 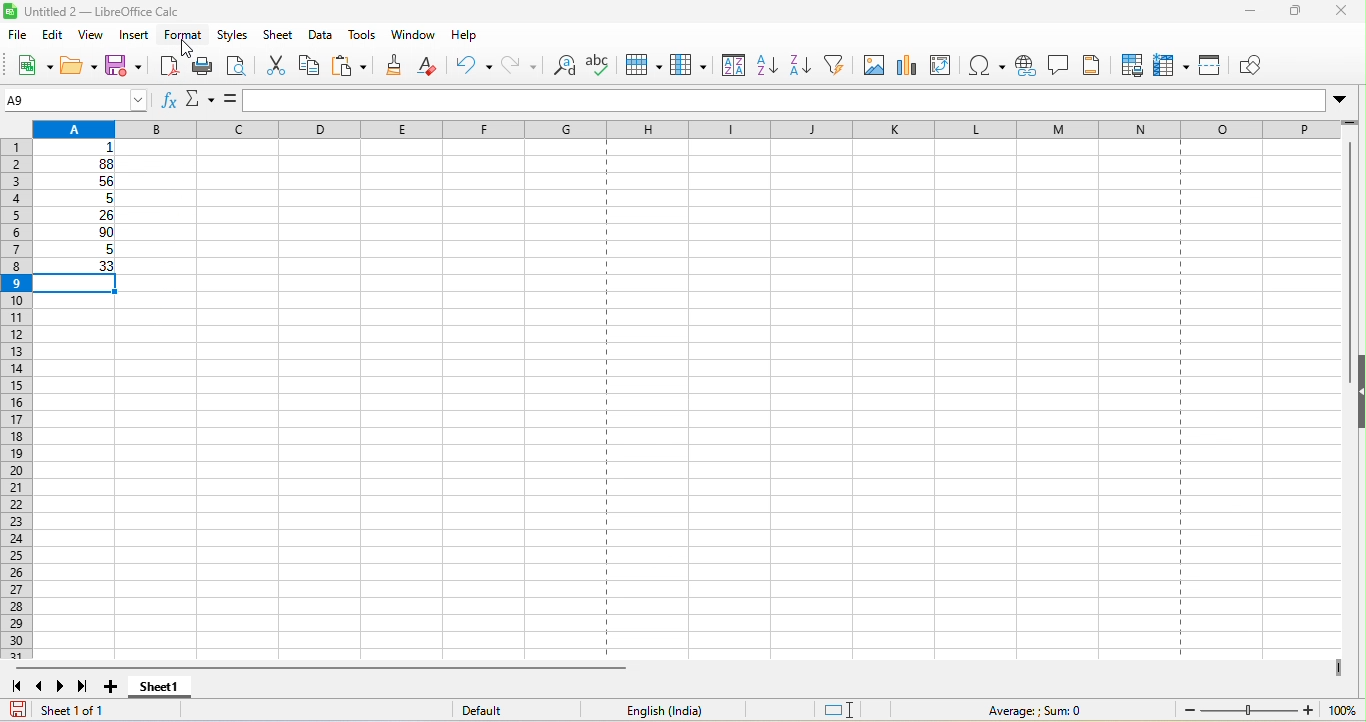 What do you see at coordinates (641, 67) in the screenshot?
I see `row` at bounding box center [641, 67].